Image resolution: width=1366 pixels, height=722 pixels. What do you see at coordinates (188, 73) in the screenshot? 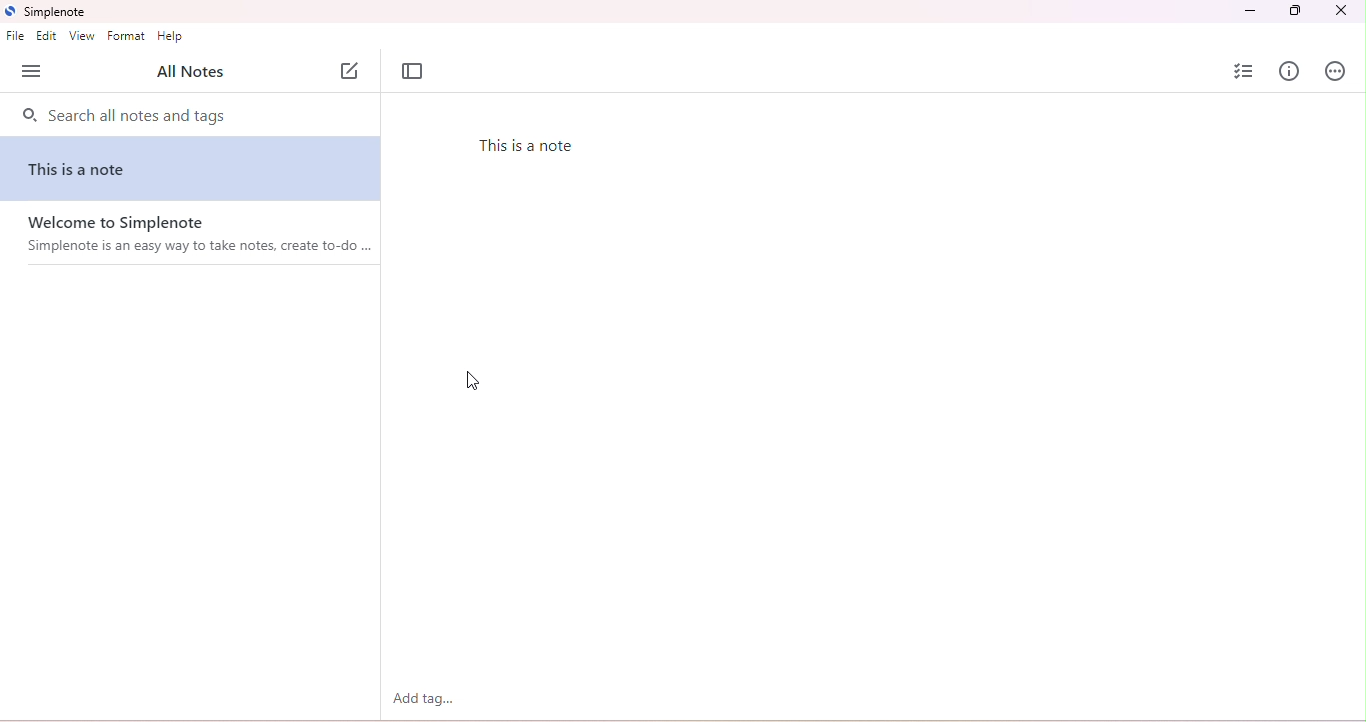
I see `all notes` at bounding box center [188, 73].